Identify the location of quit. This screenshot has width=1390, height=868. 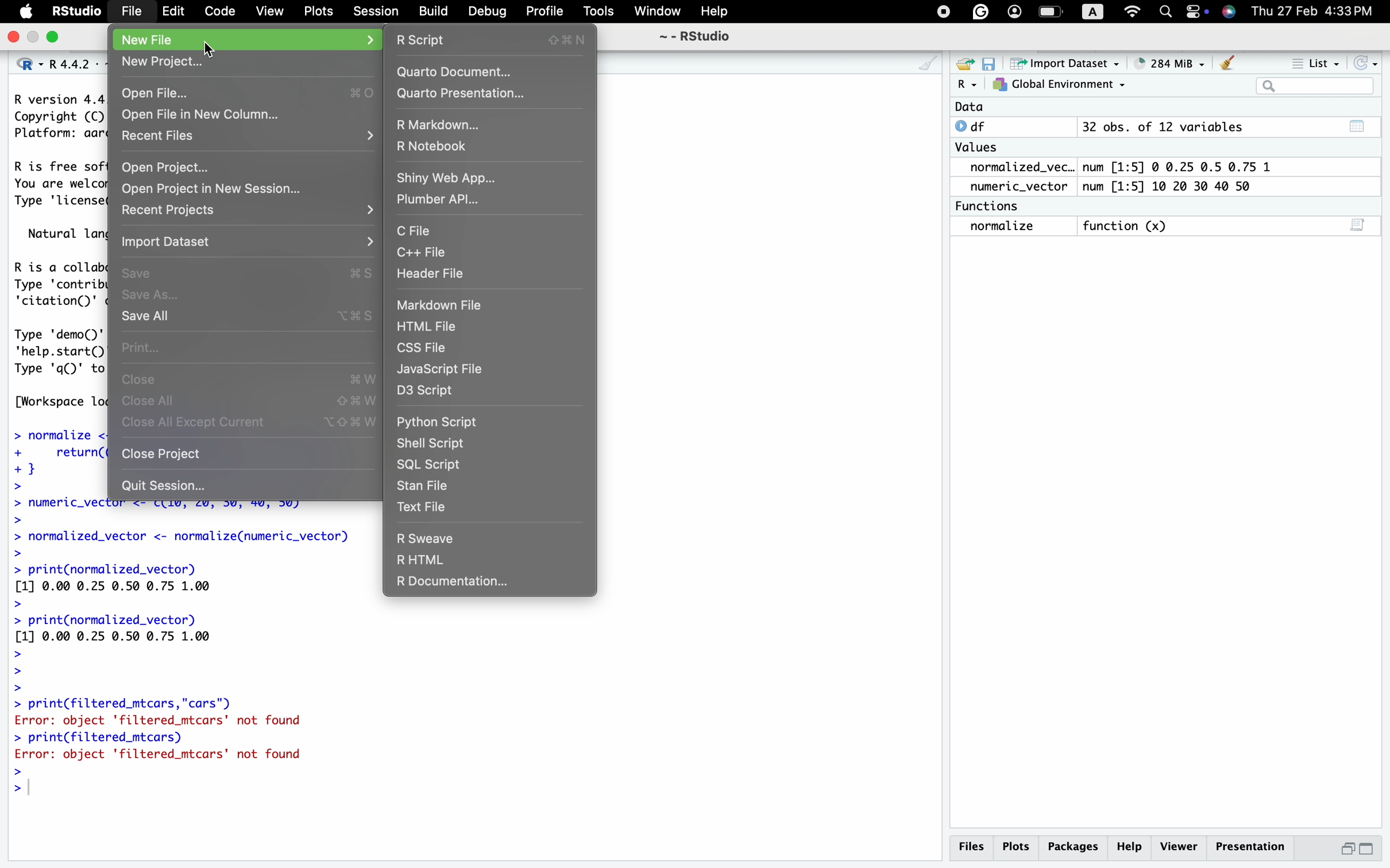
(15, 39).